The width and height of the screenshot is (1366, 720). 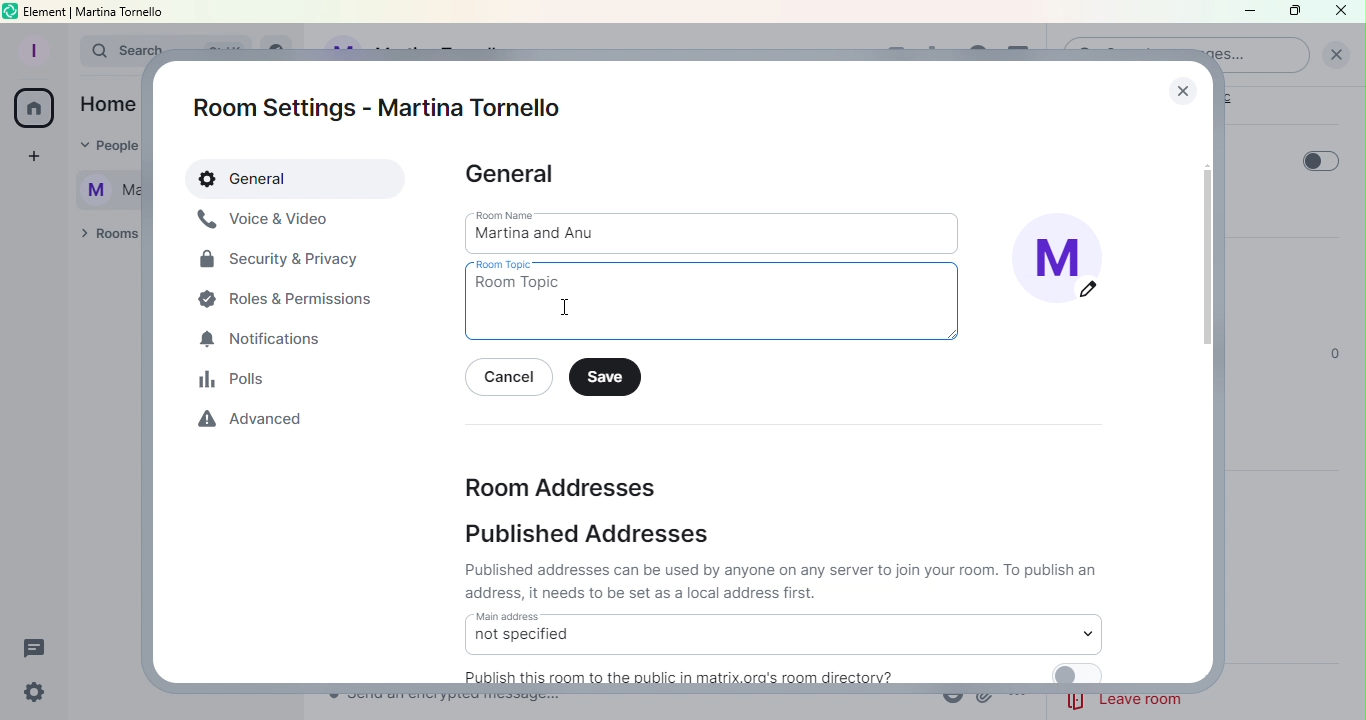 I want to click on published addresses can be used by anyone on any server to join your room. To publish an adress, it needs to be set as local address first, so click(x=784, y=581).